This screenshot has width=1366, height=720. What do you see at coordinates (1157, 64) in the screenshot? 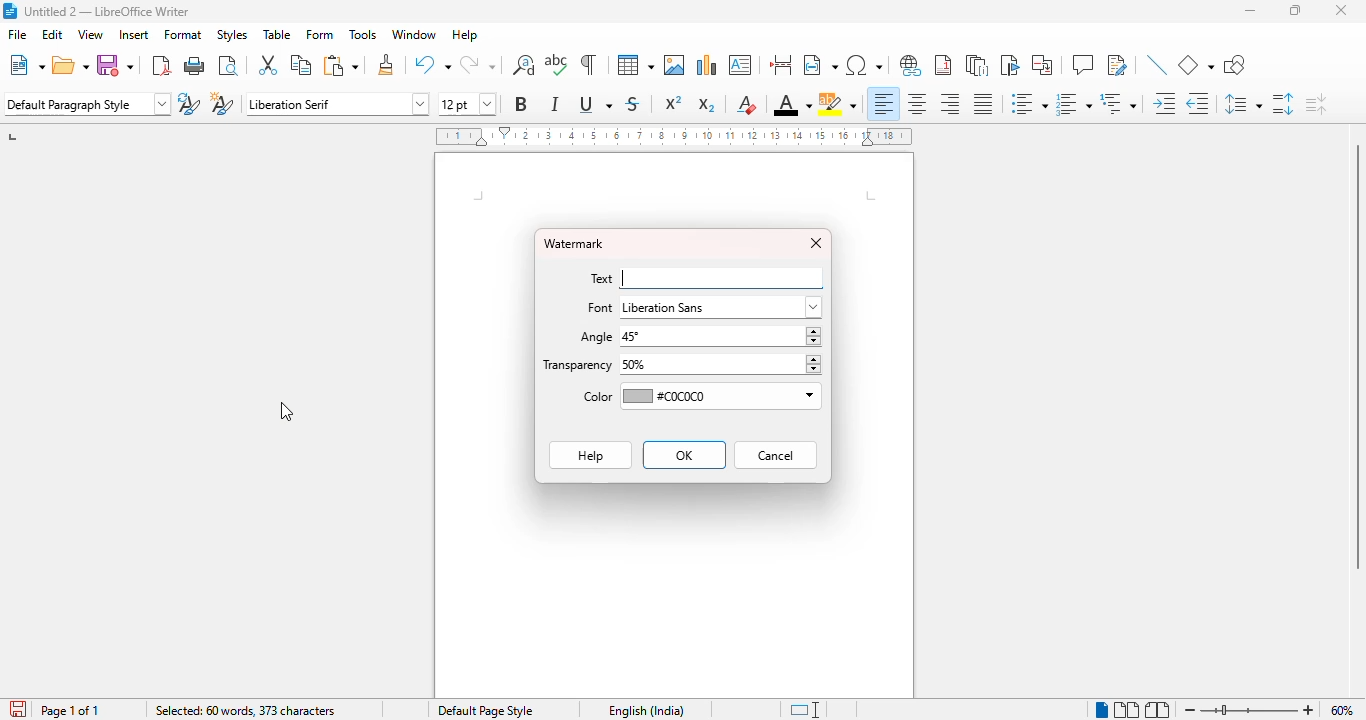
I see `insert line` at bounding box center [1157, 64].